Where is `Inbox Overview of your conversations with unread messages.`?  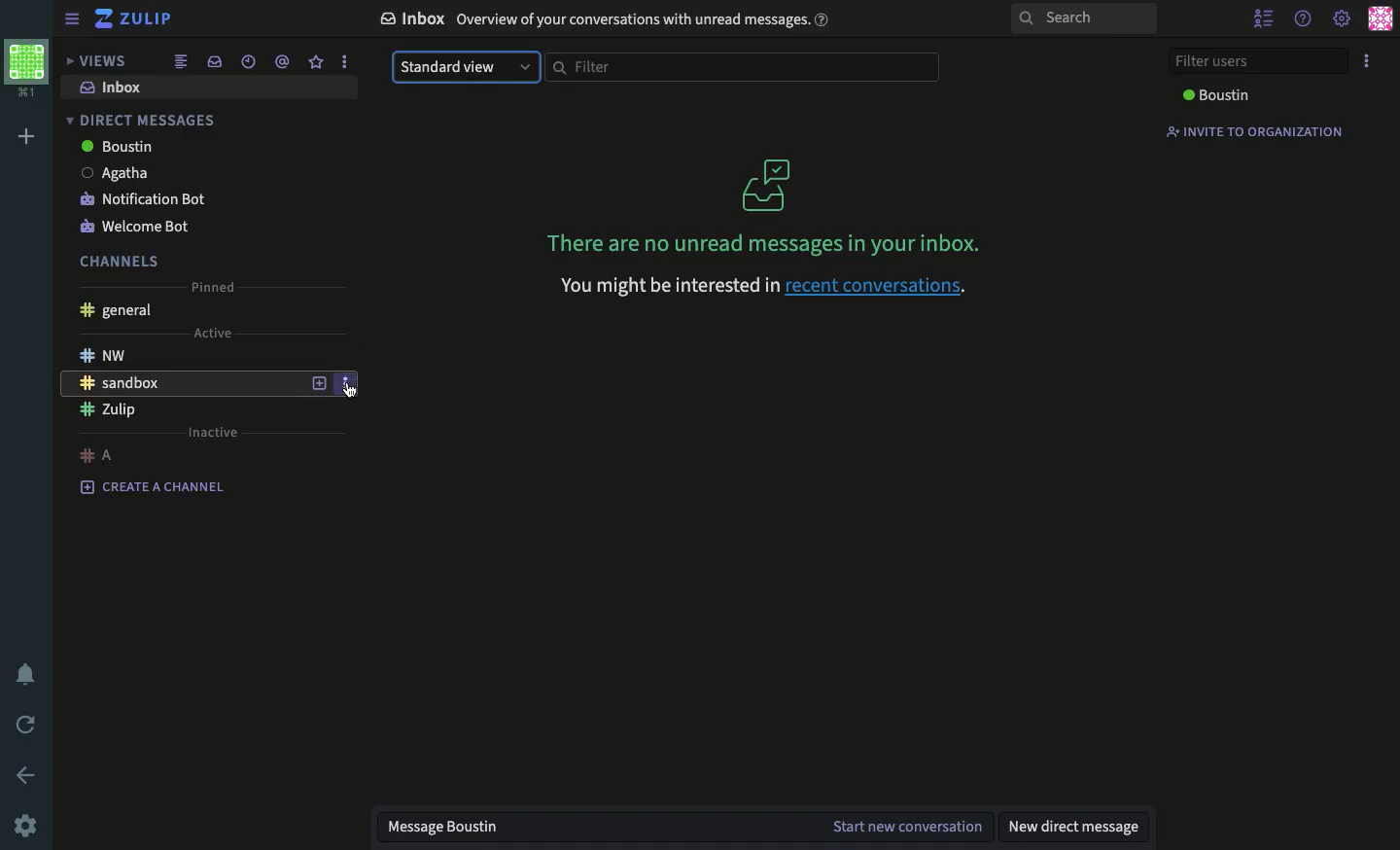 Inbox Overview of your conversations with unread messages. is located at coordinates (609, 21).